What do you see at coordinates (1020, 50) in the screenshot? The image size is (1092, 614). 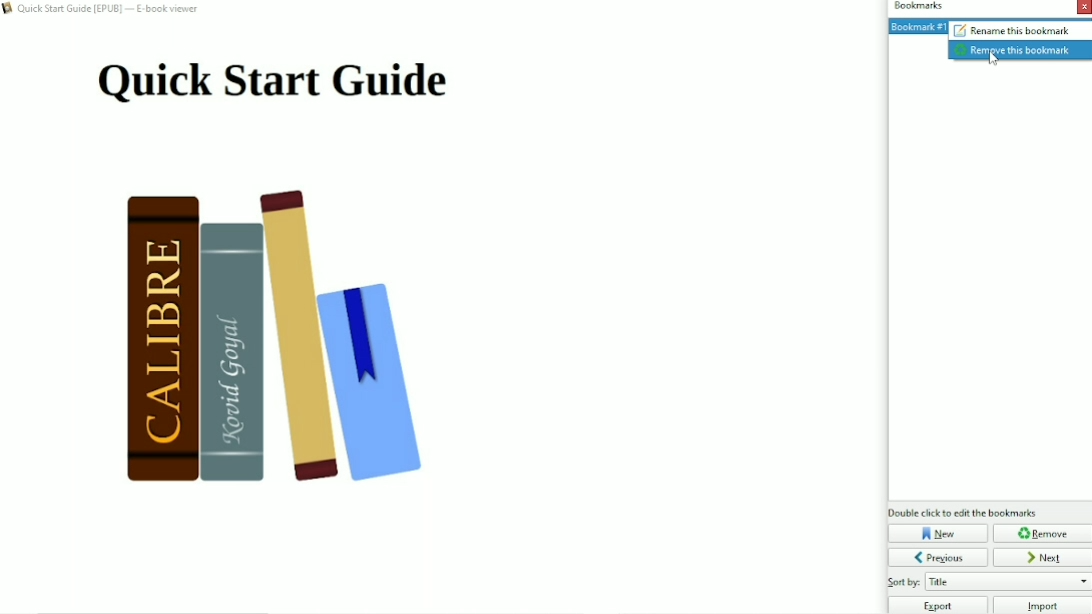 I see `Remove this bookmark` at bounding box center [1020, 50].